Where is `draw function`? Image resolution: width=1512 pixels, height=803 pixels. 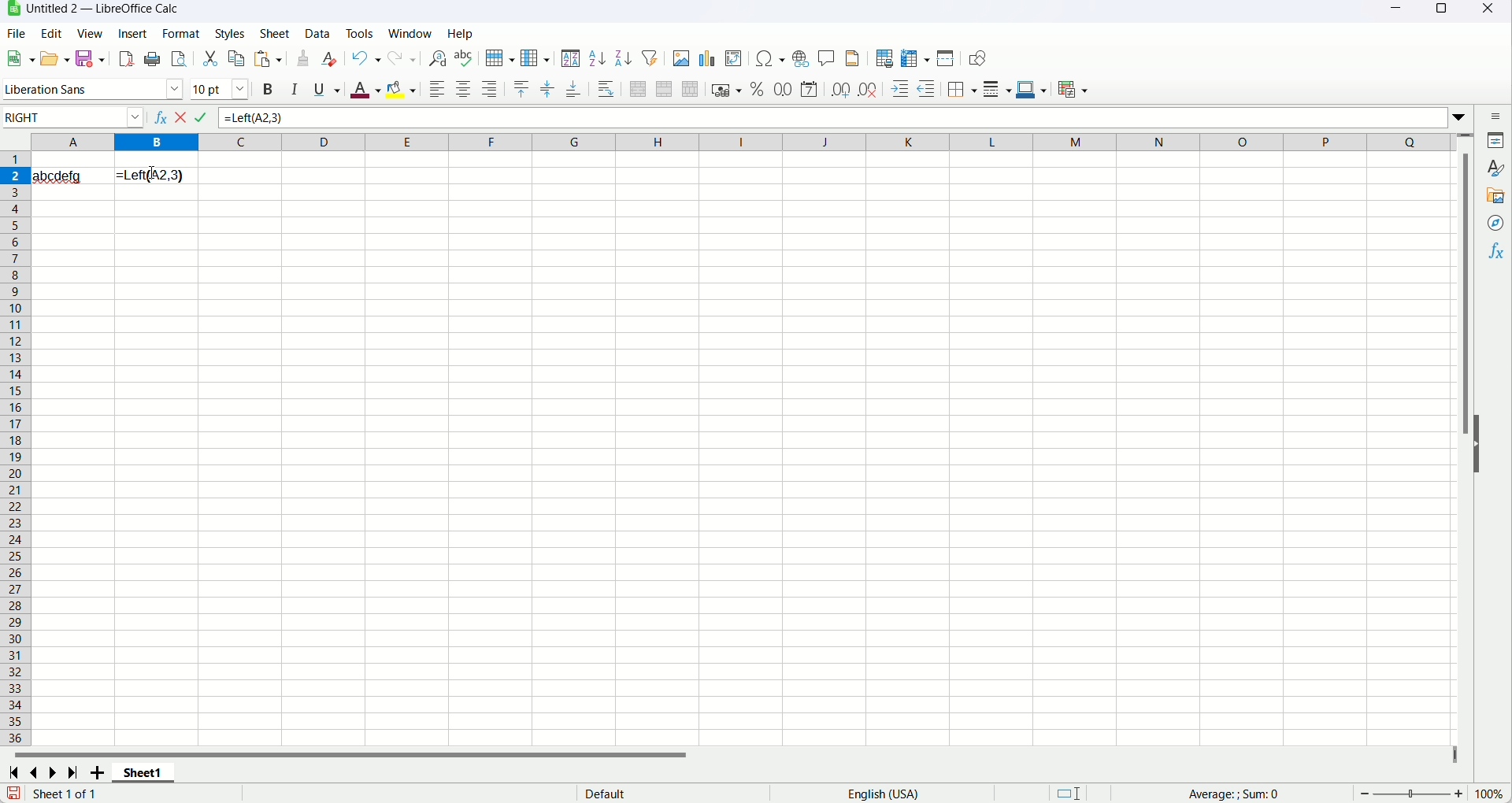 draw function is located at coordinates (979, 59).